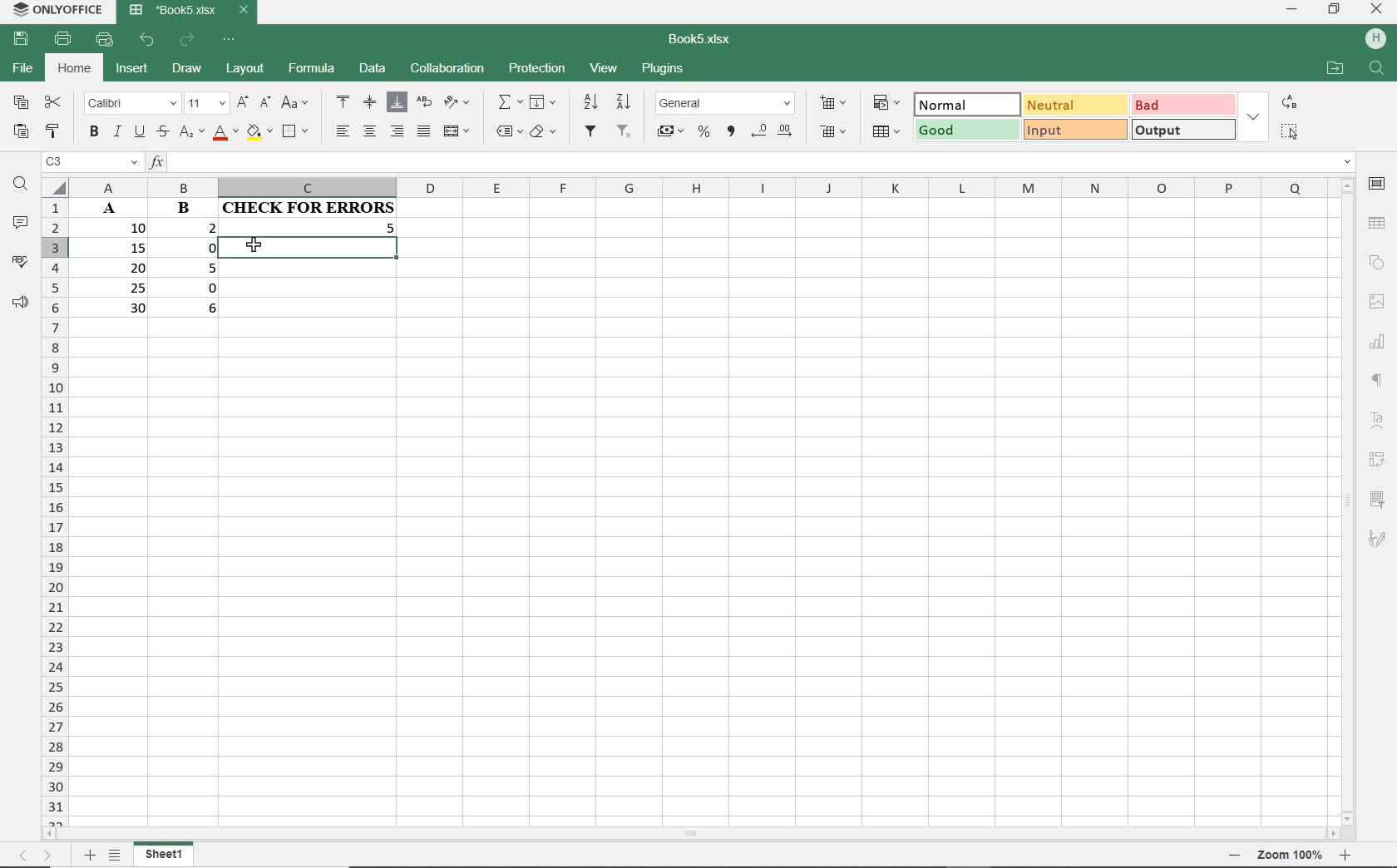  Describe the element at coordinates (1074, 104) in the screenshot. I see `NEUTRAL` at that location.